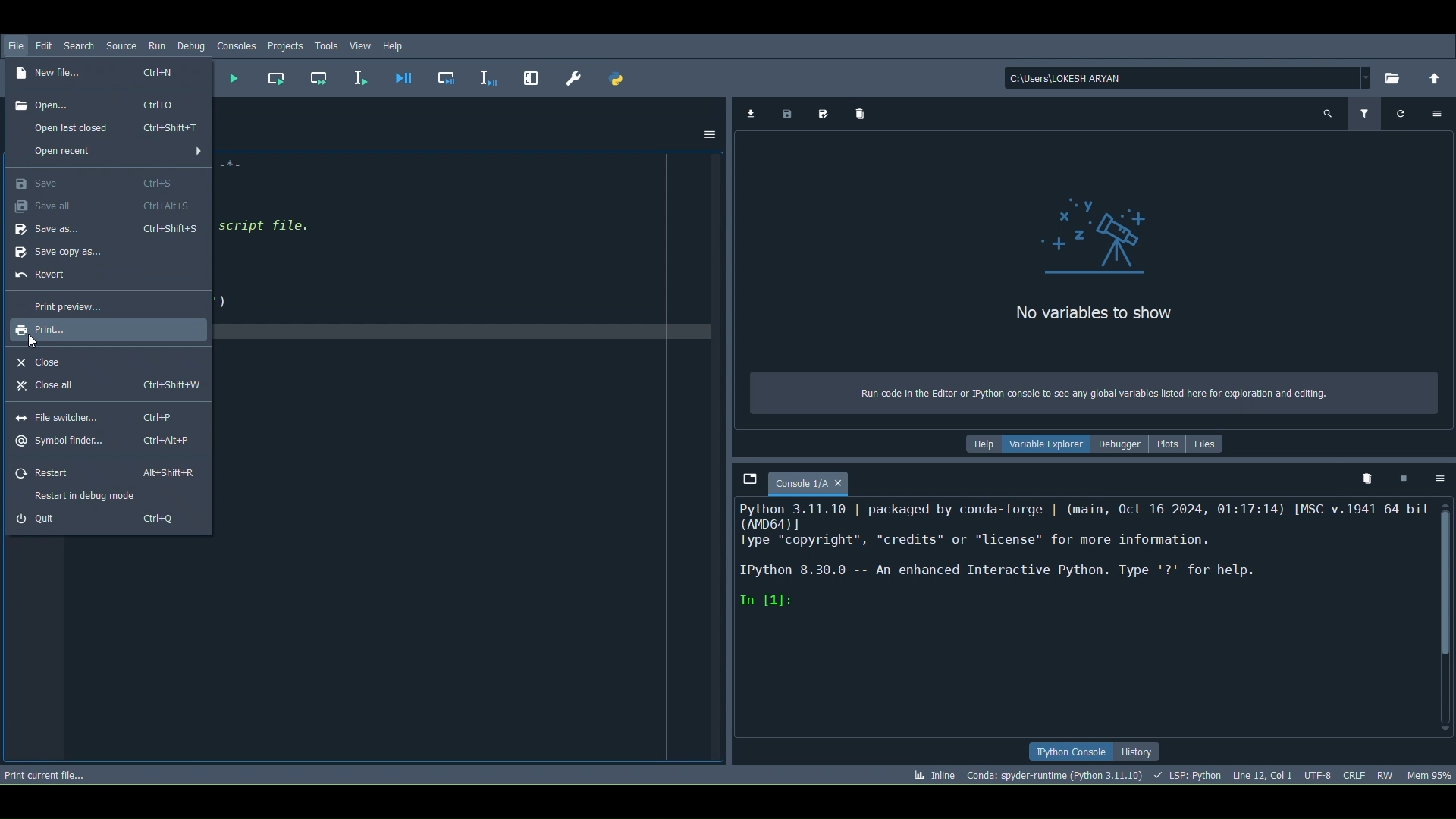 The width and height of the screenshot is (1456, 819). I want to click on Revert, so click(46, 278).